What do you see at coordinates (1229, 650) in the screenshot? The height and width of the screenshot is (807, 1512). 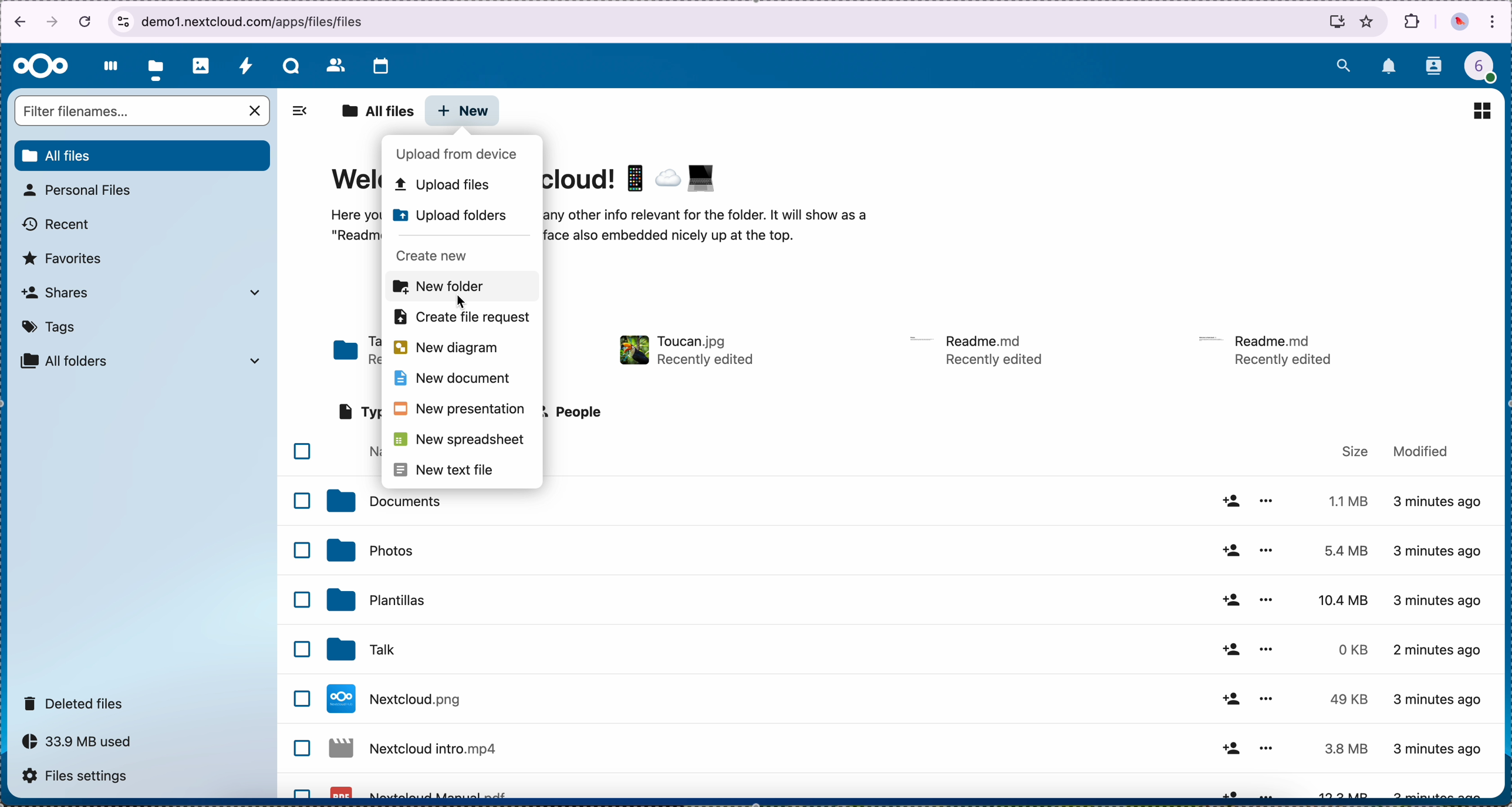 I see `share` at bounding box center [1229, 650].